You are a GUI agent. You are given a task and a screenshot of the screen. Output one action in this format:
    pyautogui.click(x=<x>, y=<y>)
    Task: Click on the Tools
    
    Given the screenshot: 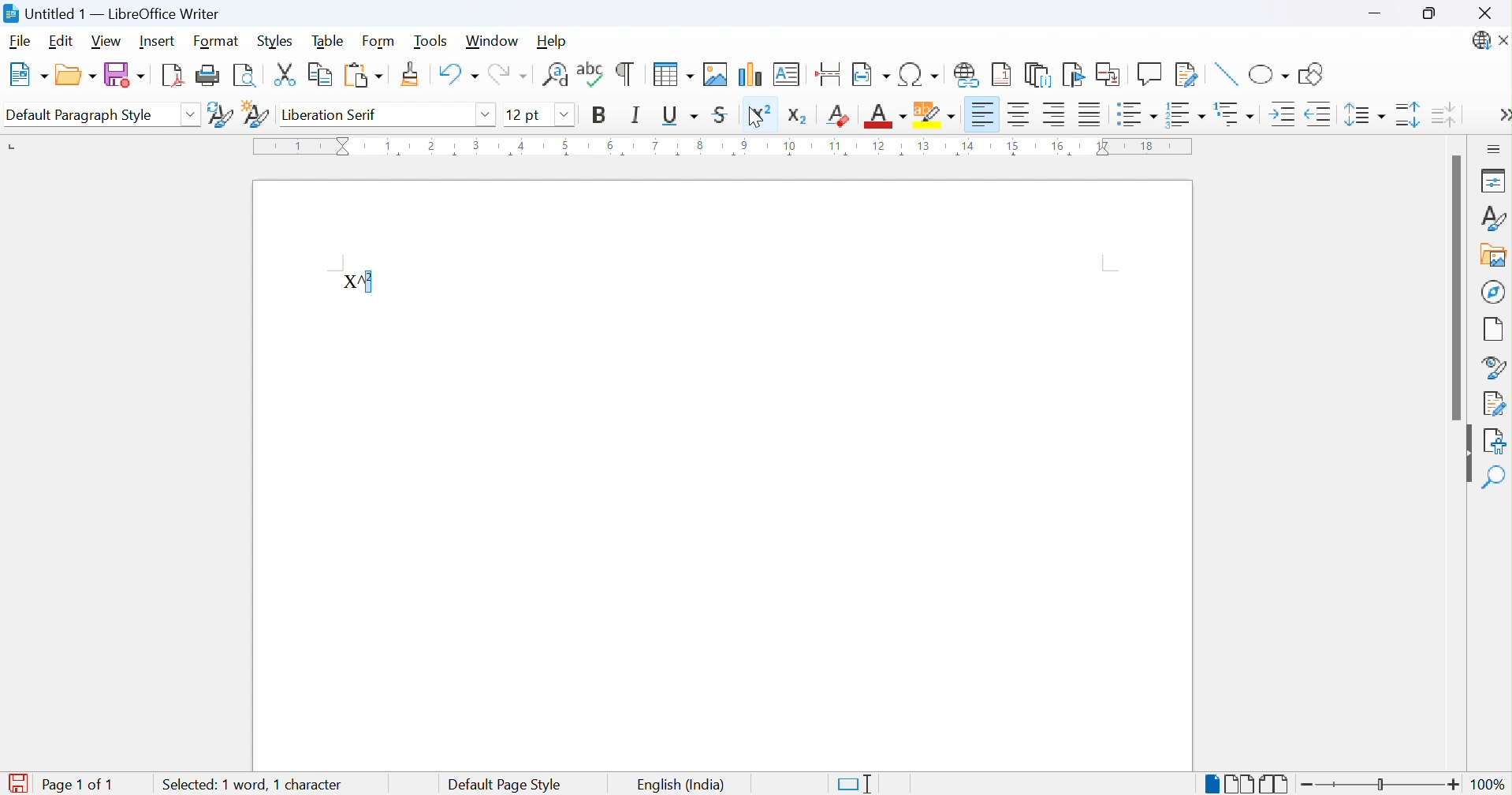 What is the action you would take?
    pyautogui.click(x=429, y=41)
    